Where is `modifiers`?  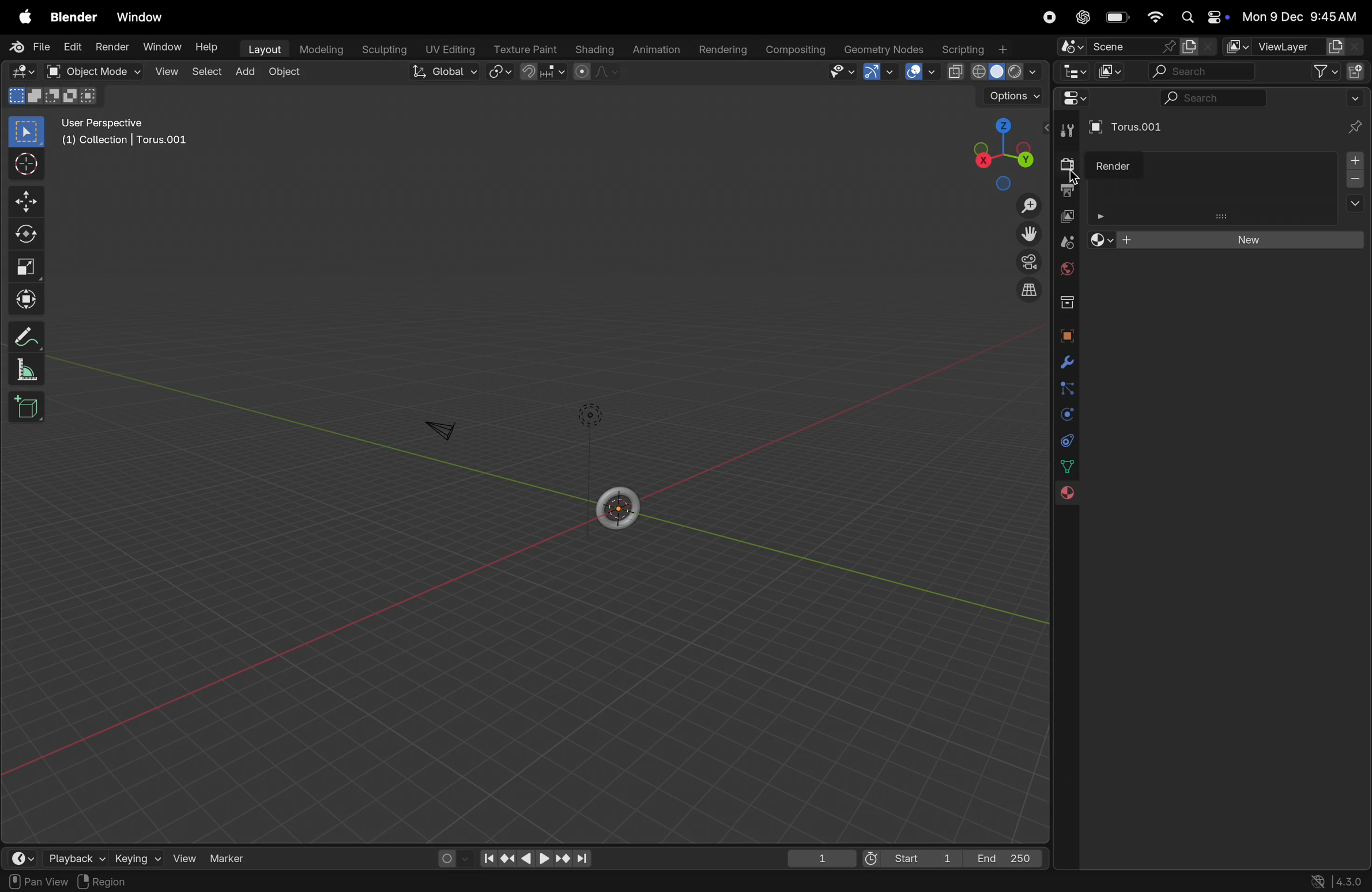 modifiers is located at coordinates (1065, 363).